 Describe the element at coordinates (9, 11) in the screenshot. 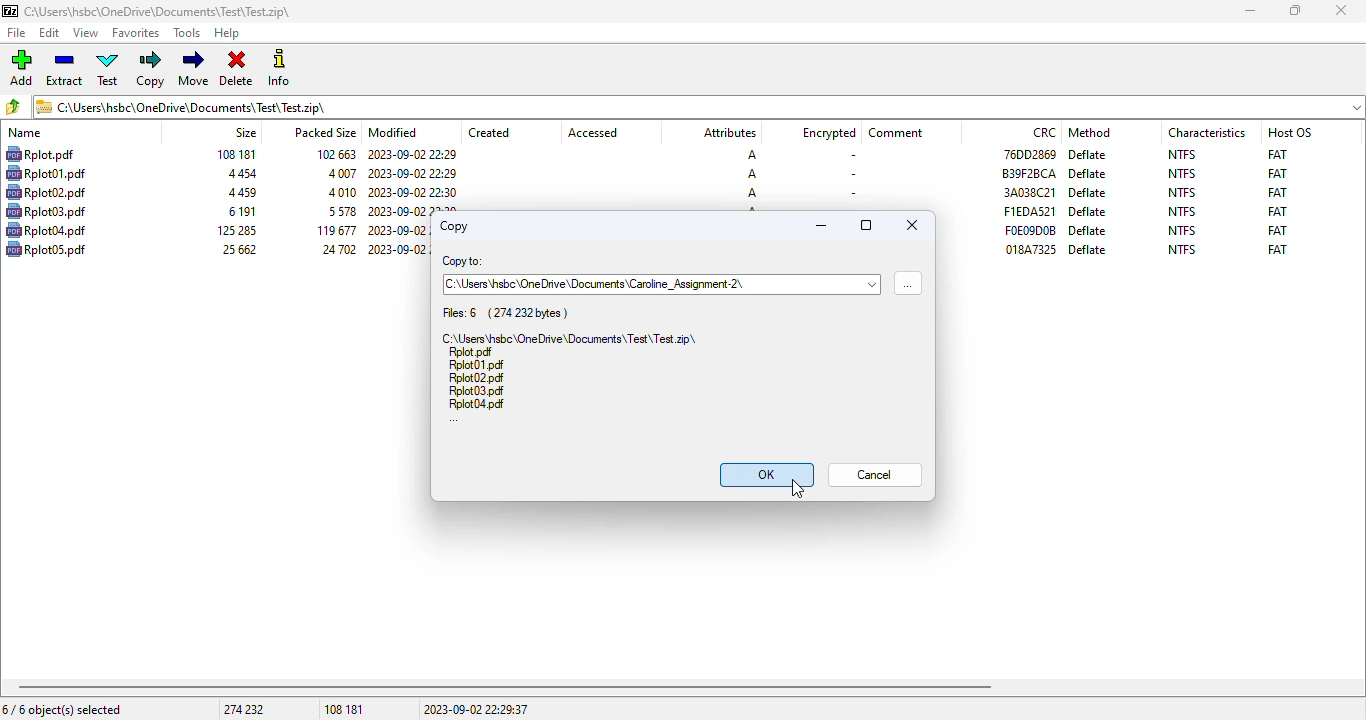

I see `logo` at that location.